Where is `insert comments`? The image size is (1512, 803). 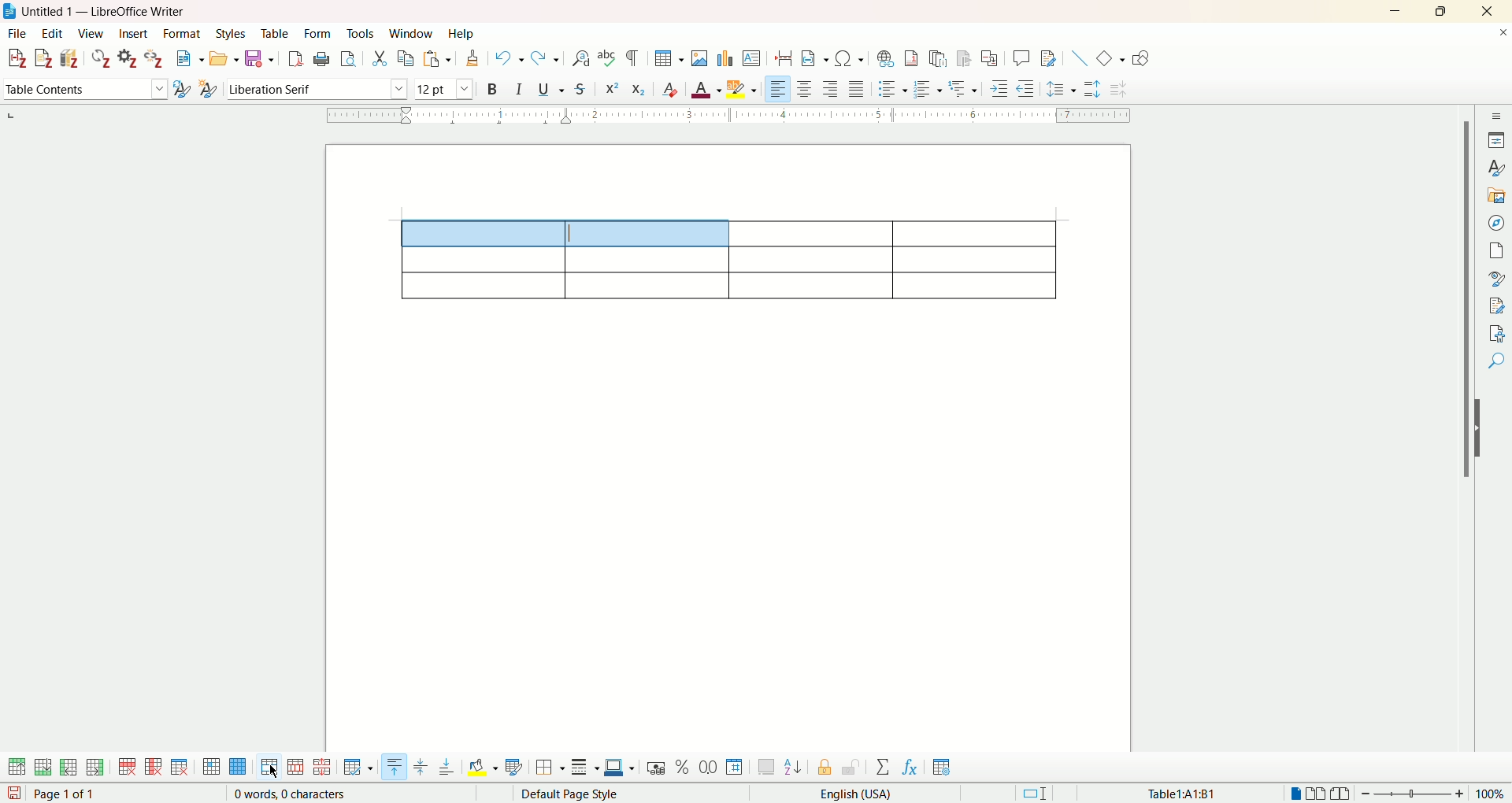 insert comments is located at coordinates (1024, 58).